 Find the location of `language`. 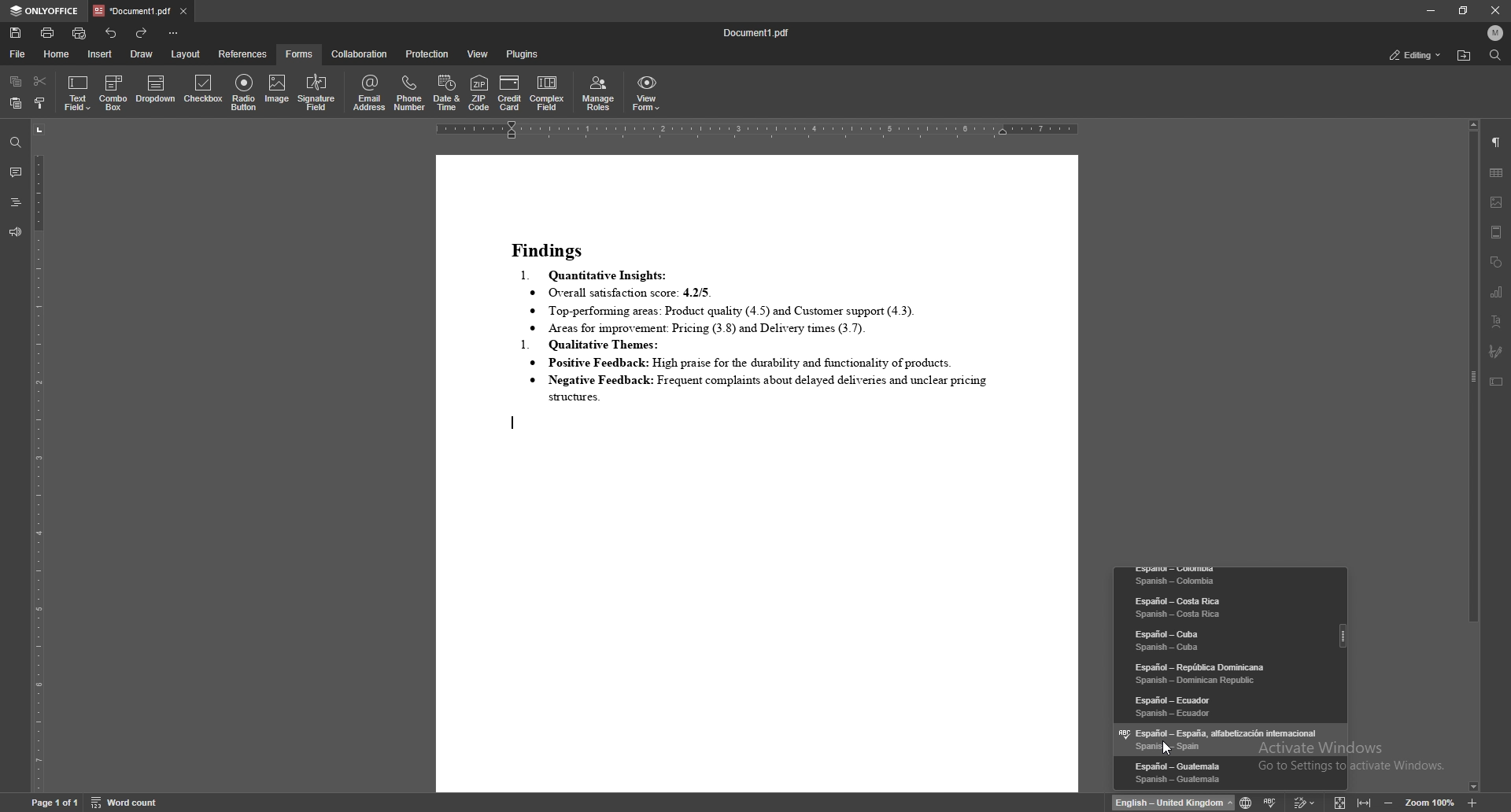

language is located at coordinates (1219, 640).